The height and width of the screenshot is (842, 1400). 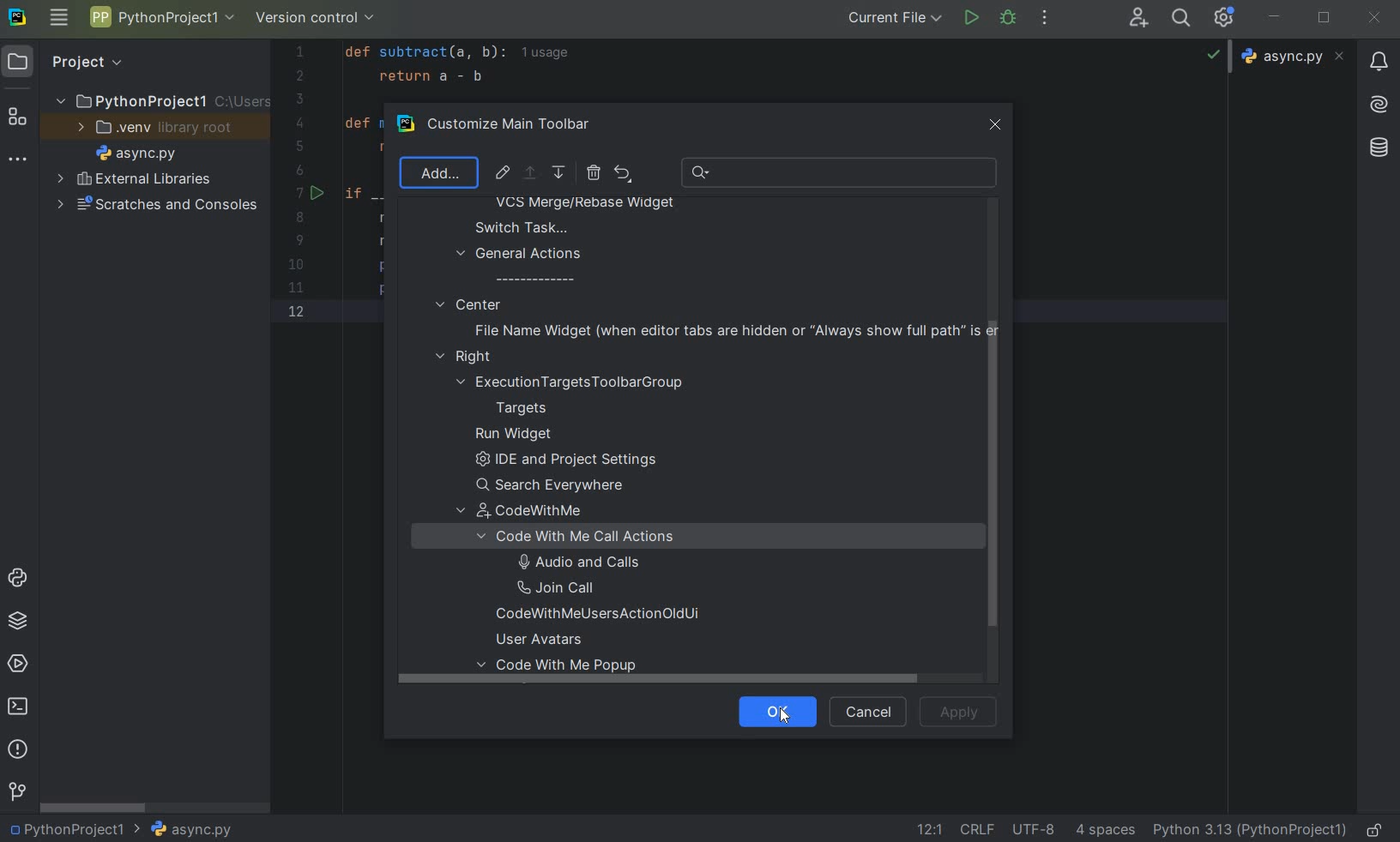 I want to click on GO TO LINE, so click(x=927, y=829).